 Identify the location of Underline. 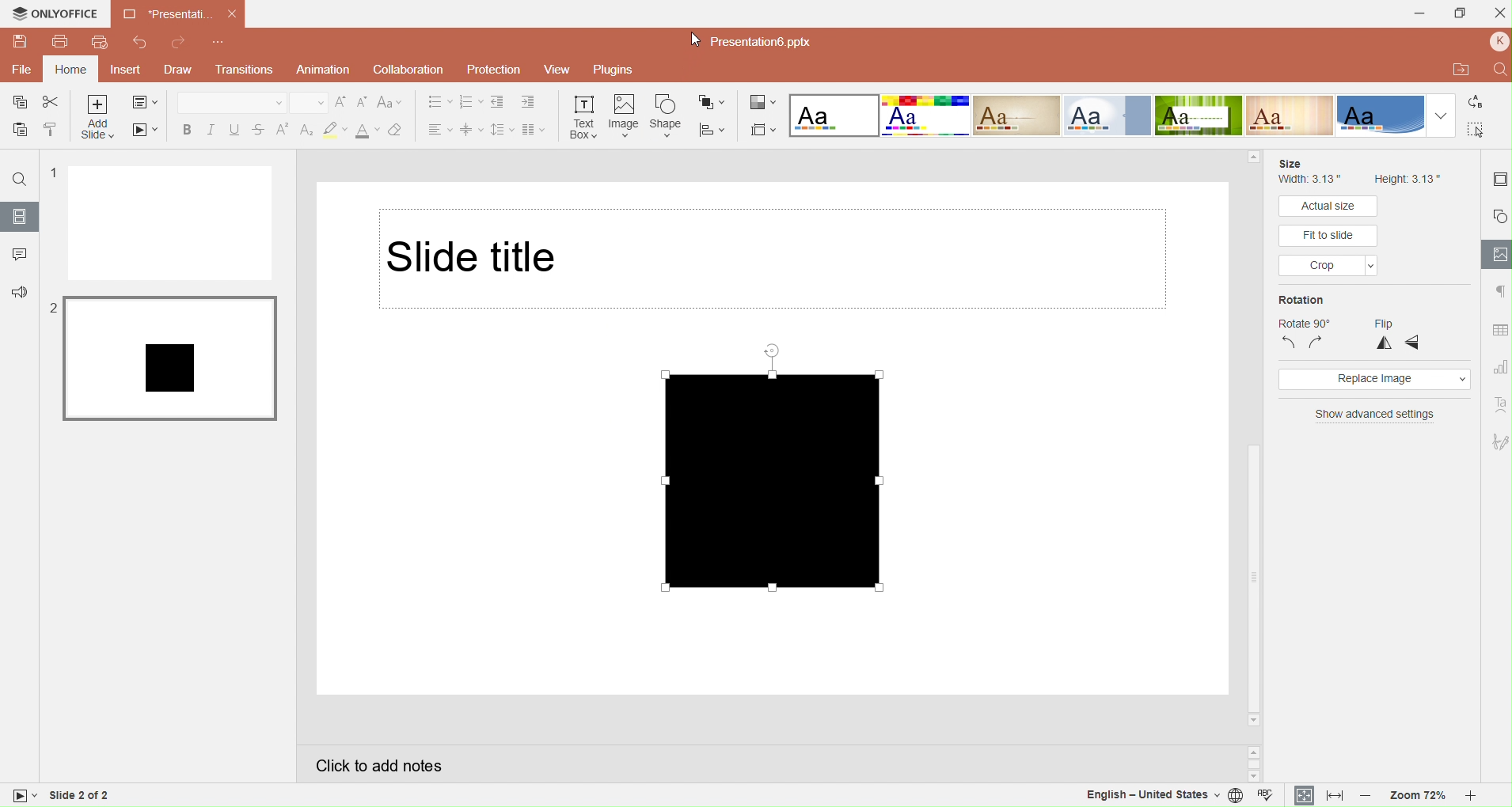
(236, 127).